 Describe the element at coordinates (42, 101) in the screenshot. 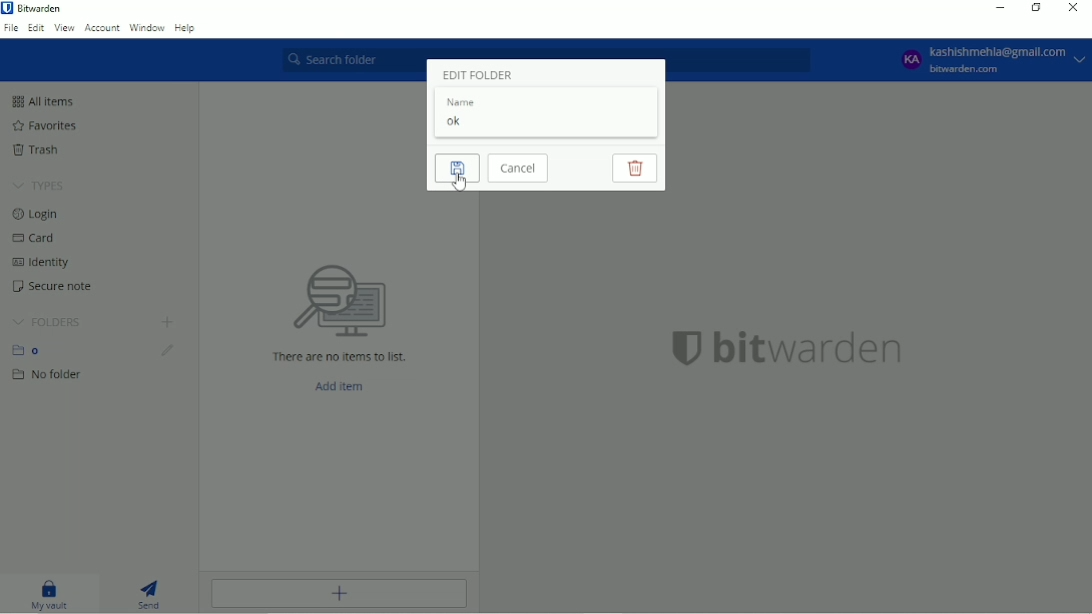

I see `All items` at that location.